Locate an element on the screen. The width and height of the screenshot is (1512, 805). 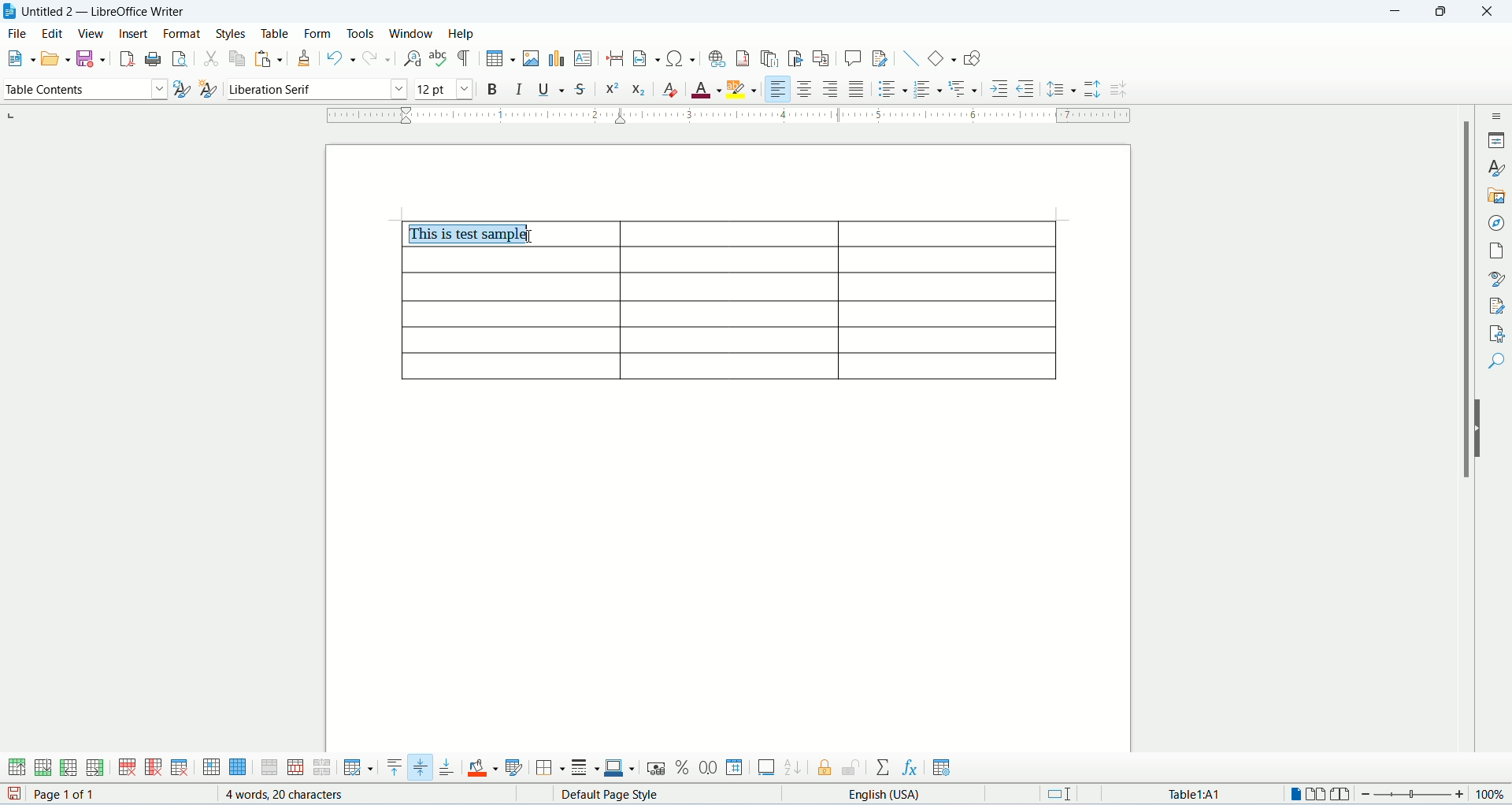
strikethrough is located at coordinates (578, 90).